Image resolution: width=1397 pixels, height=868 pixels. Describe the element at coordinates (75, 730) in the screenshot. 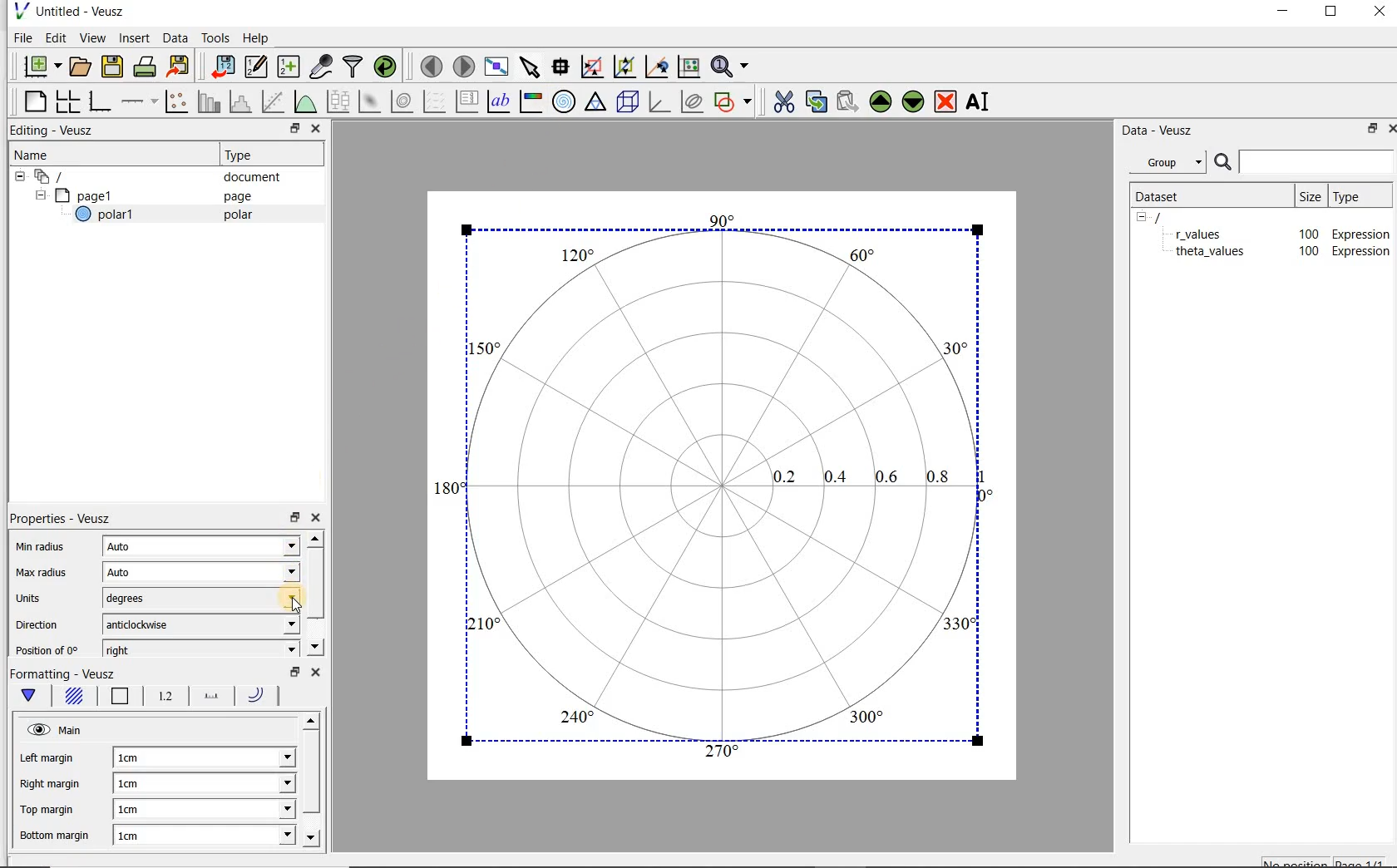

I see `Main` at that location.